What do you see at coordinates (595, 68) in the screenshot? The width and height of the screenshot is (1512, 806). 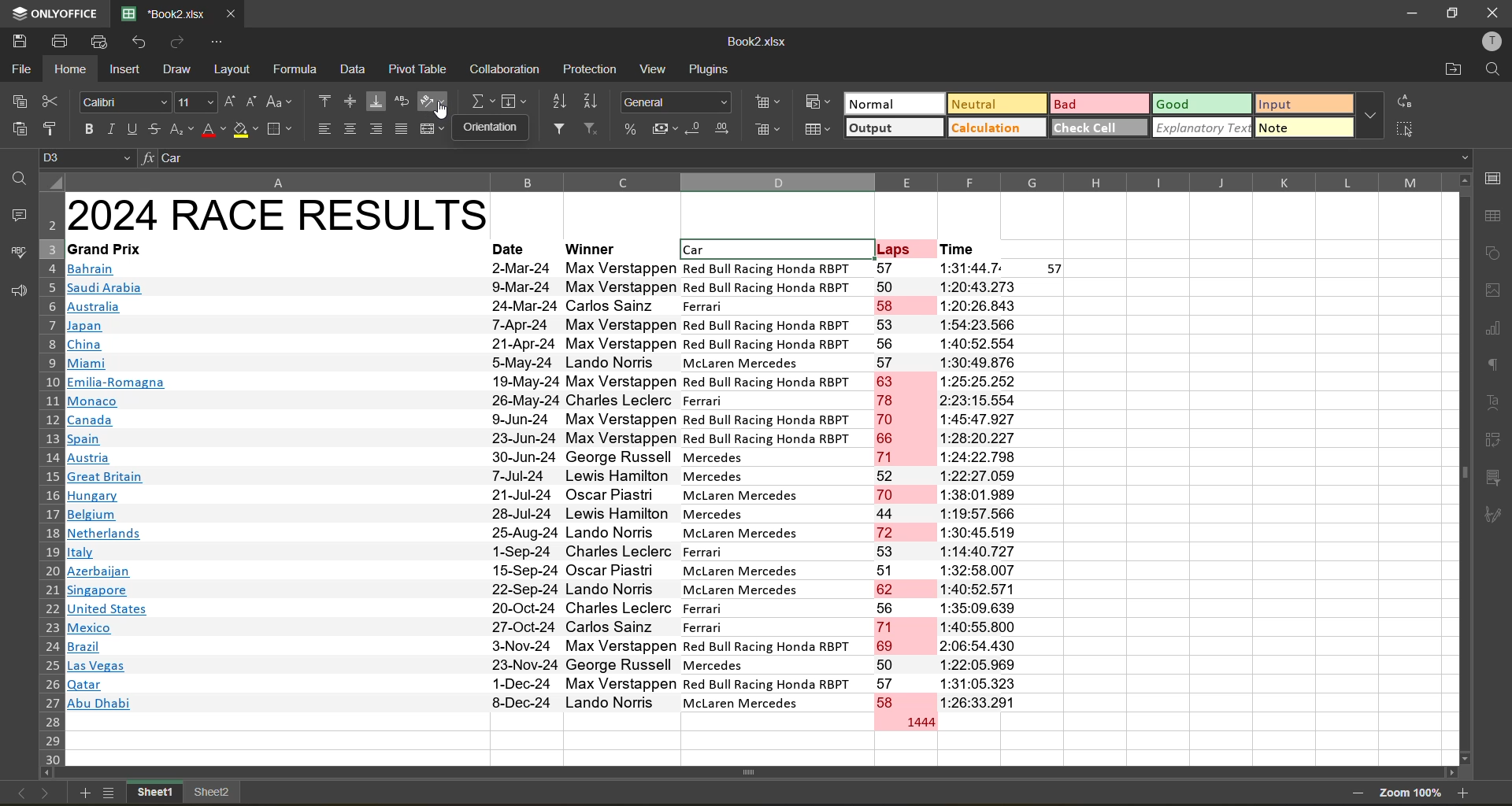 I see `protection` at bounding box center [595, 68].